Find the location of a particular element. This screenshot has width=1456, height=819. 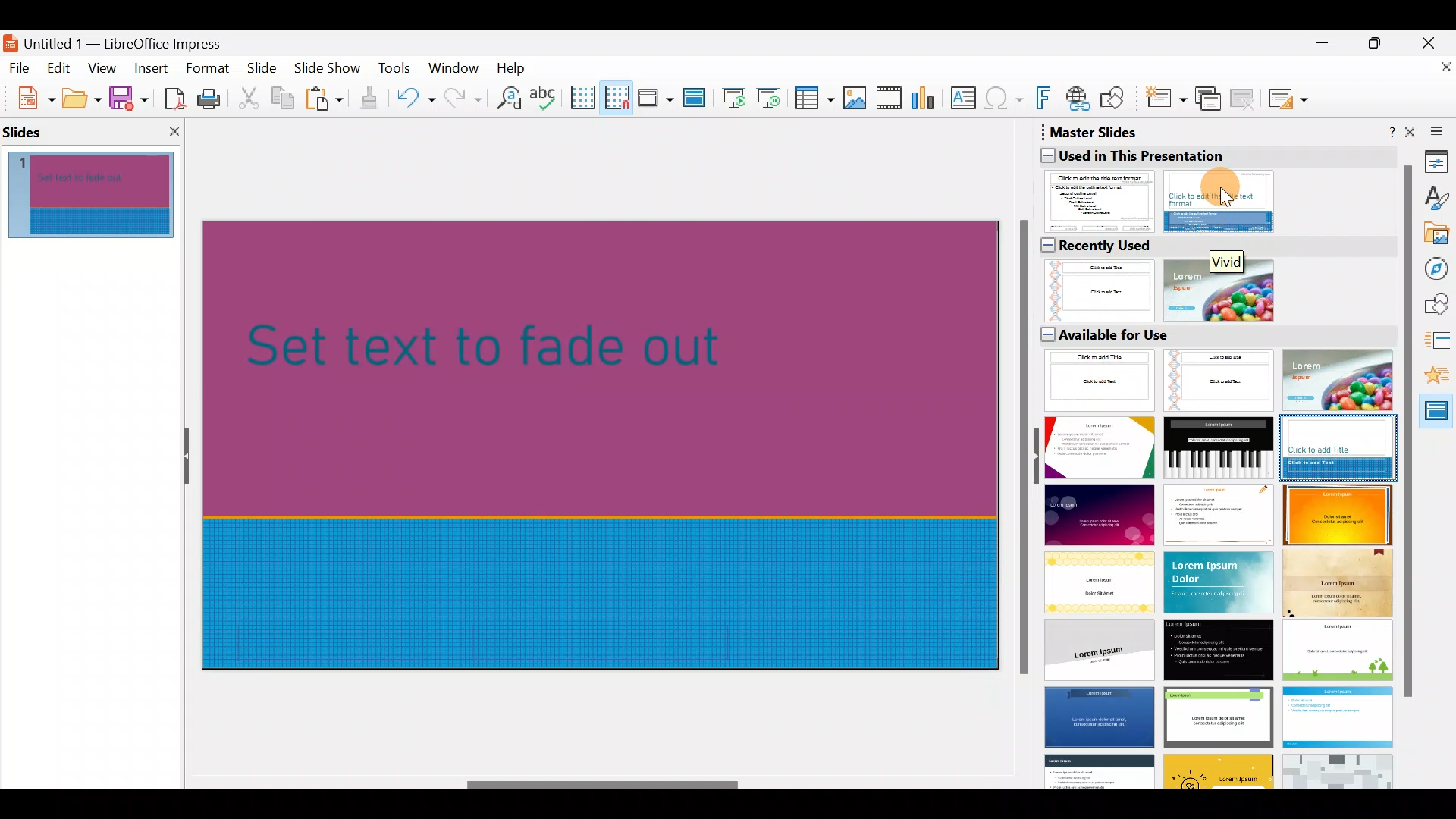

Show draw functions is located at coordinates (1116, 99).